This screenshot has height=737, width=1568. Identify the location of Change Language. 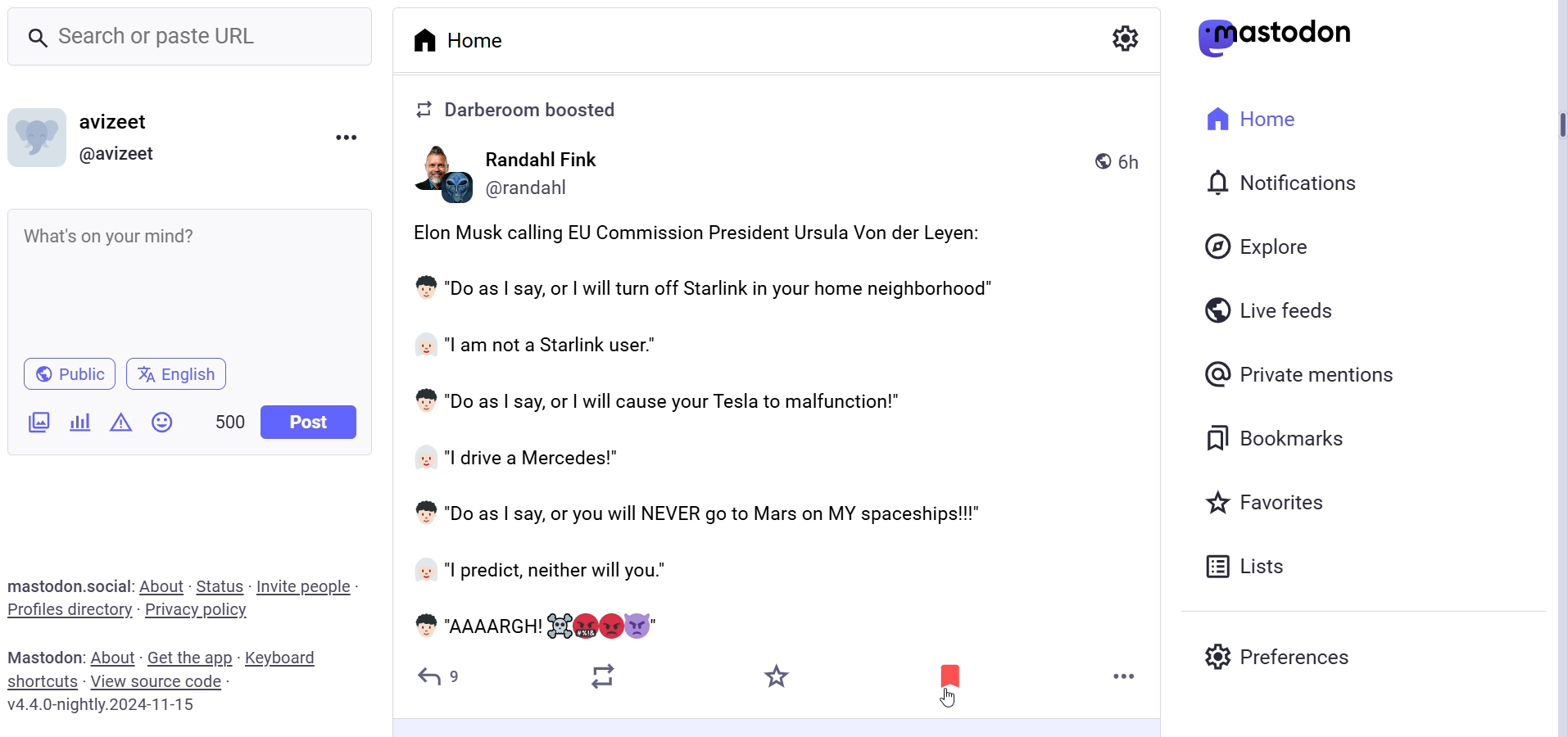
(176, 375).